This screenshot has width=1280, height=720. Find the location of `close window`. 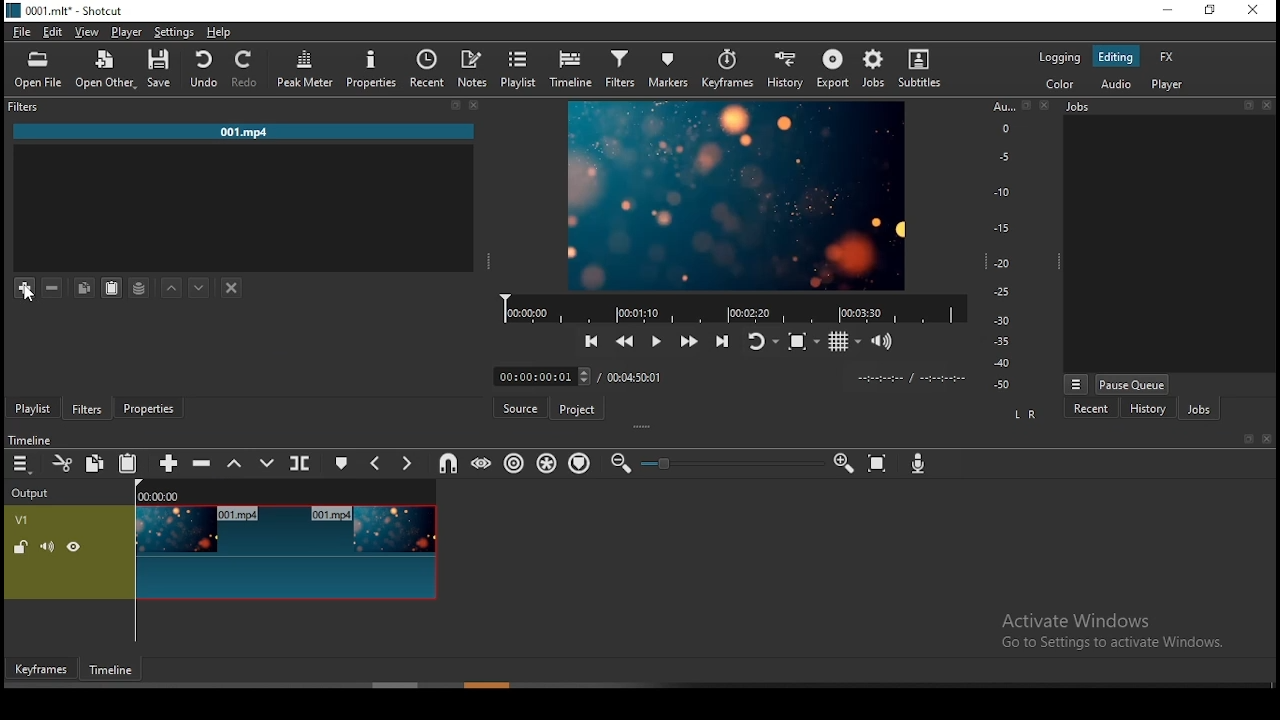

close window is located at coordinates (1252, 11).